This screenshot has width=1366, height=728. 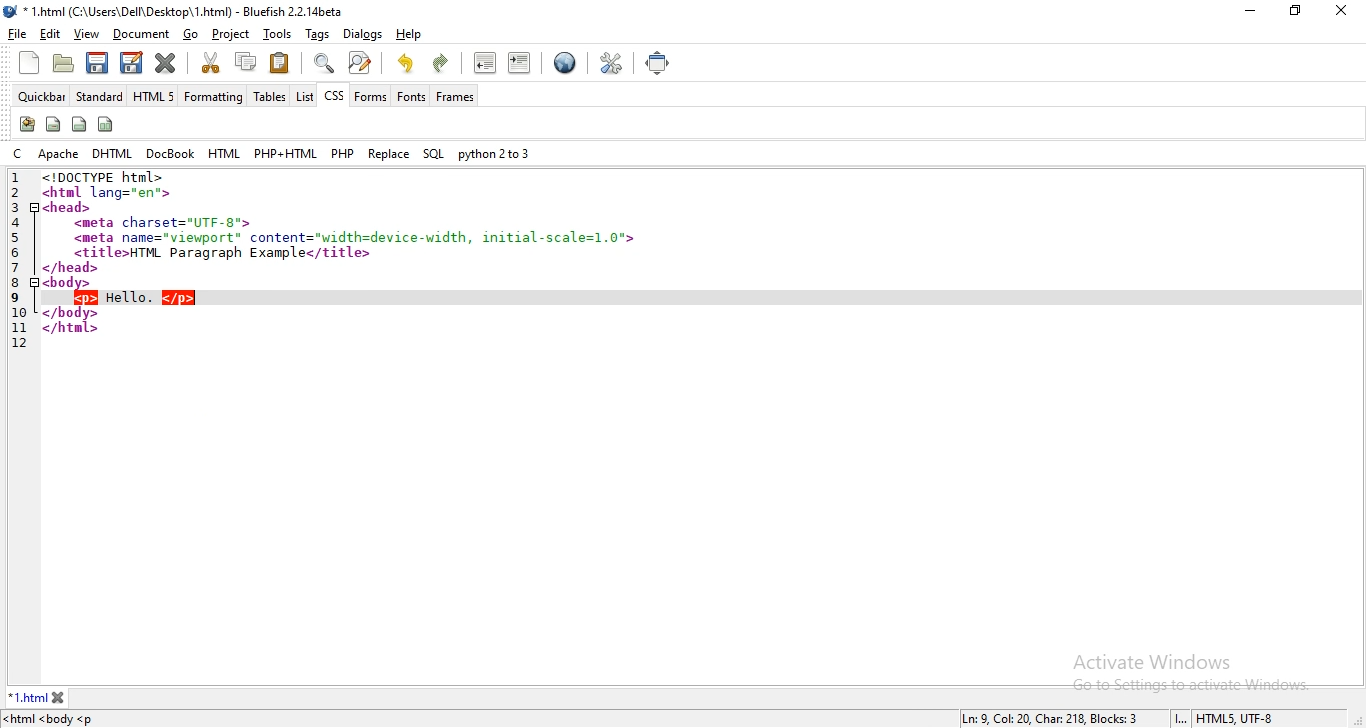 What do you see at coordinates (223, 253) in the screenshot?
I see `<title>HTML Paragraph Example</title>` at bounding box center [223, 253].